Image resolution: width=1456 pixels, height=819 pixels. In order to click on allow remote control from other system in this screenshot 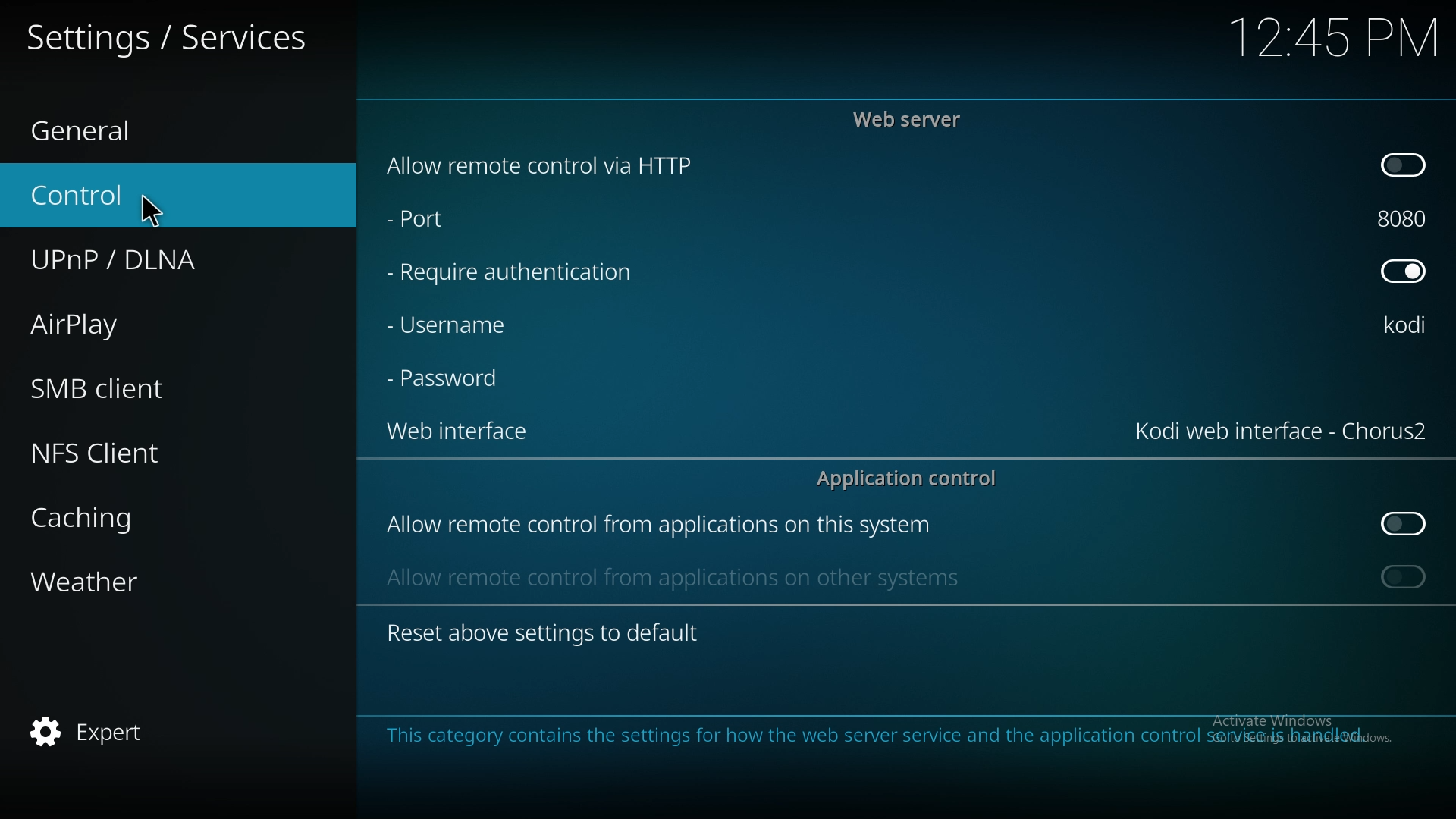, I will do `click(670, 576)`.